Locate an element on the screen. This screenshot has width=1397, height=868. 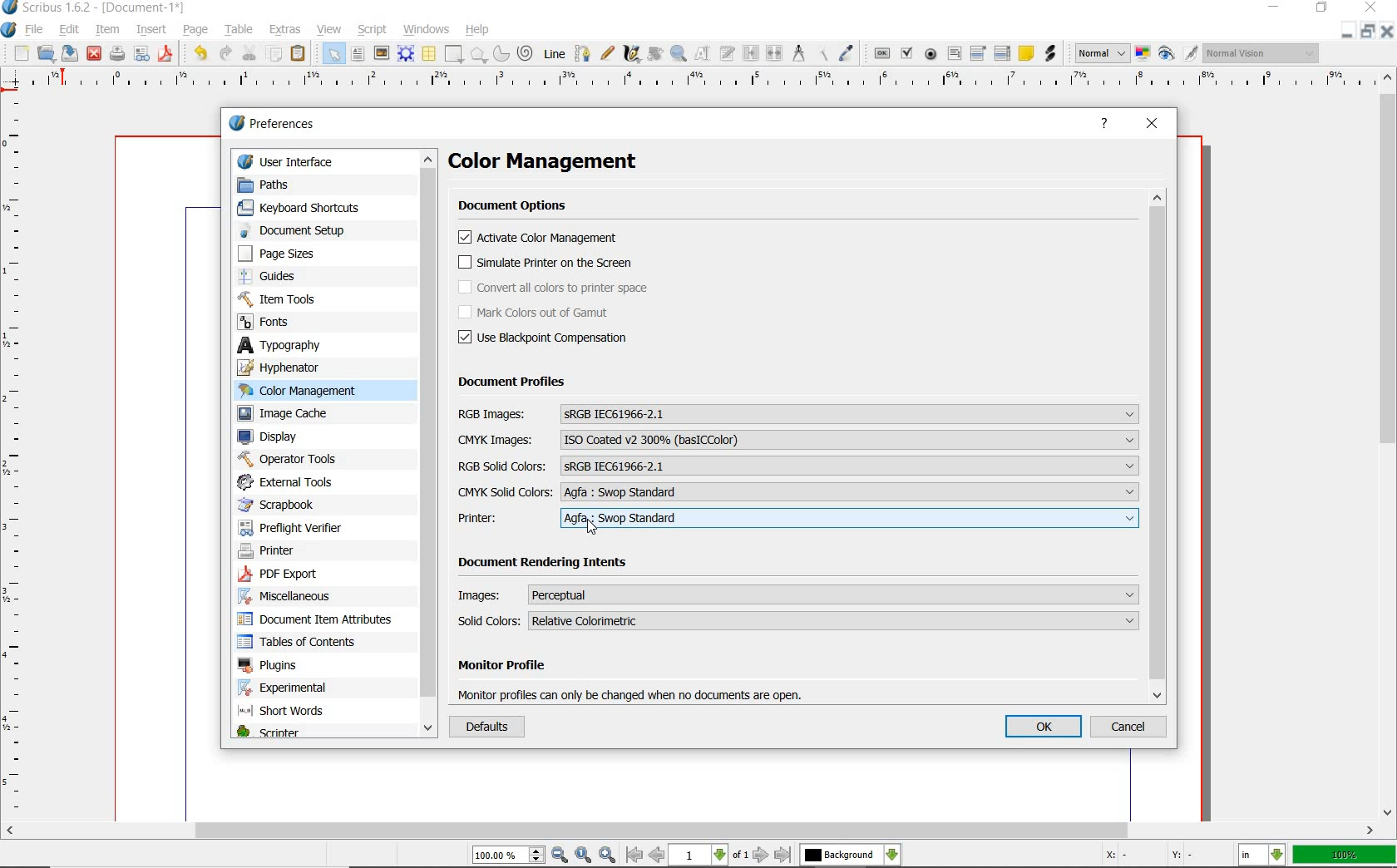
scribus 1.6.2 - [document-1*] is located at coordinates (96, 8).